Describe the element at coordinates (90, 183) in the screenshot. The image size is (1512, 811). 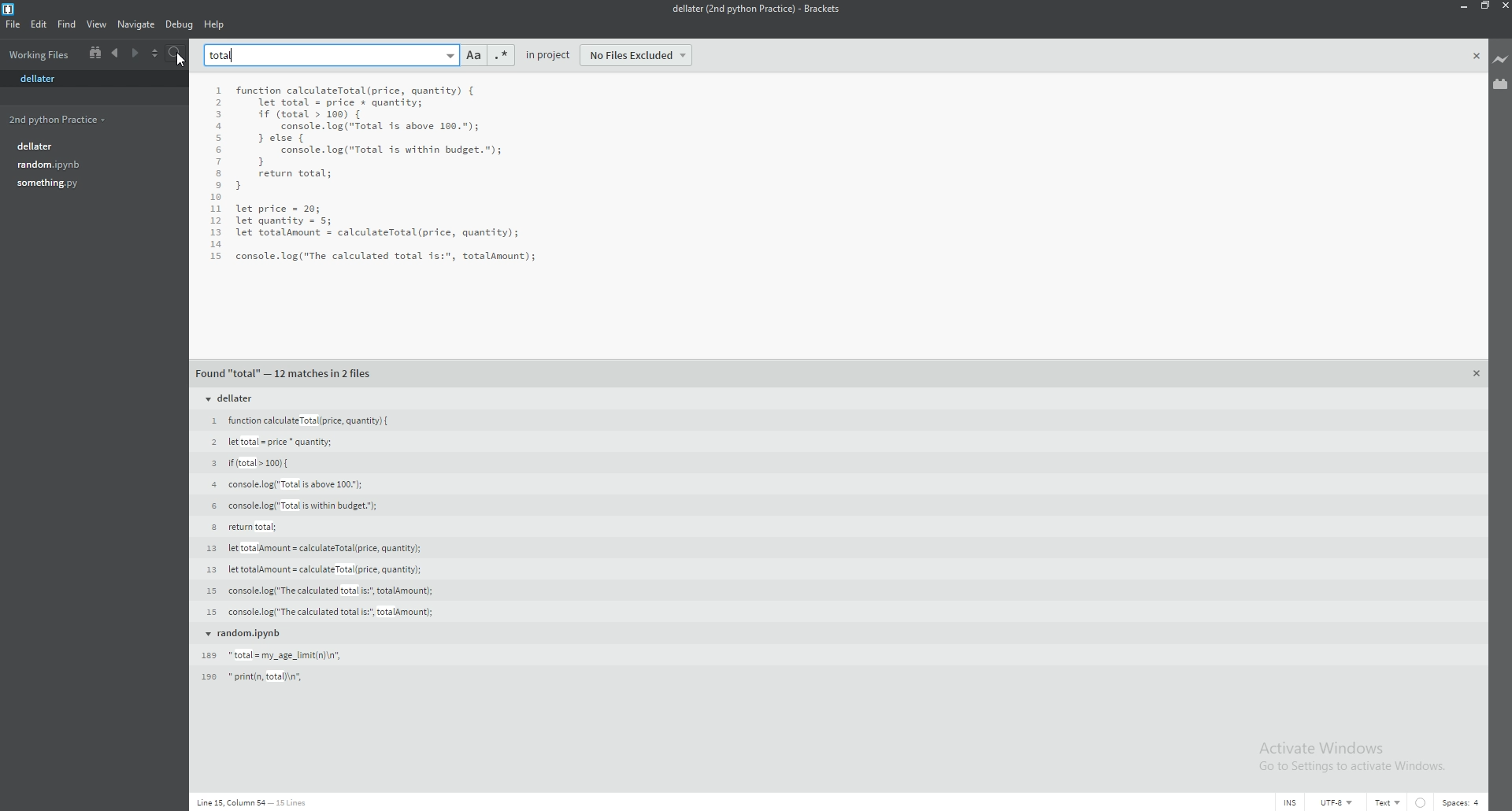
I see `something.py` at that location.